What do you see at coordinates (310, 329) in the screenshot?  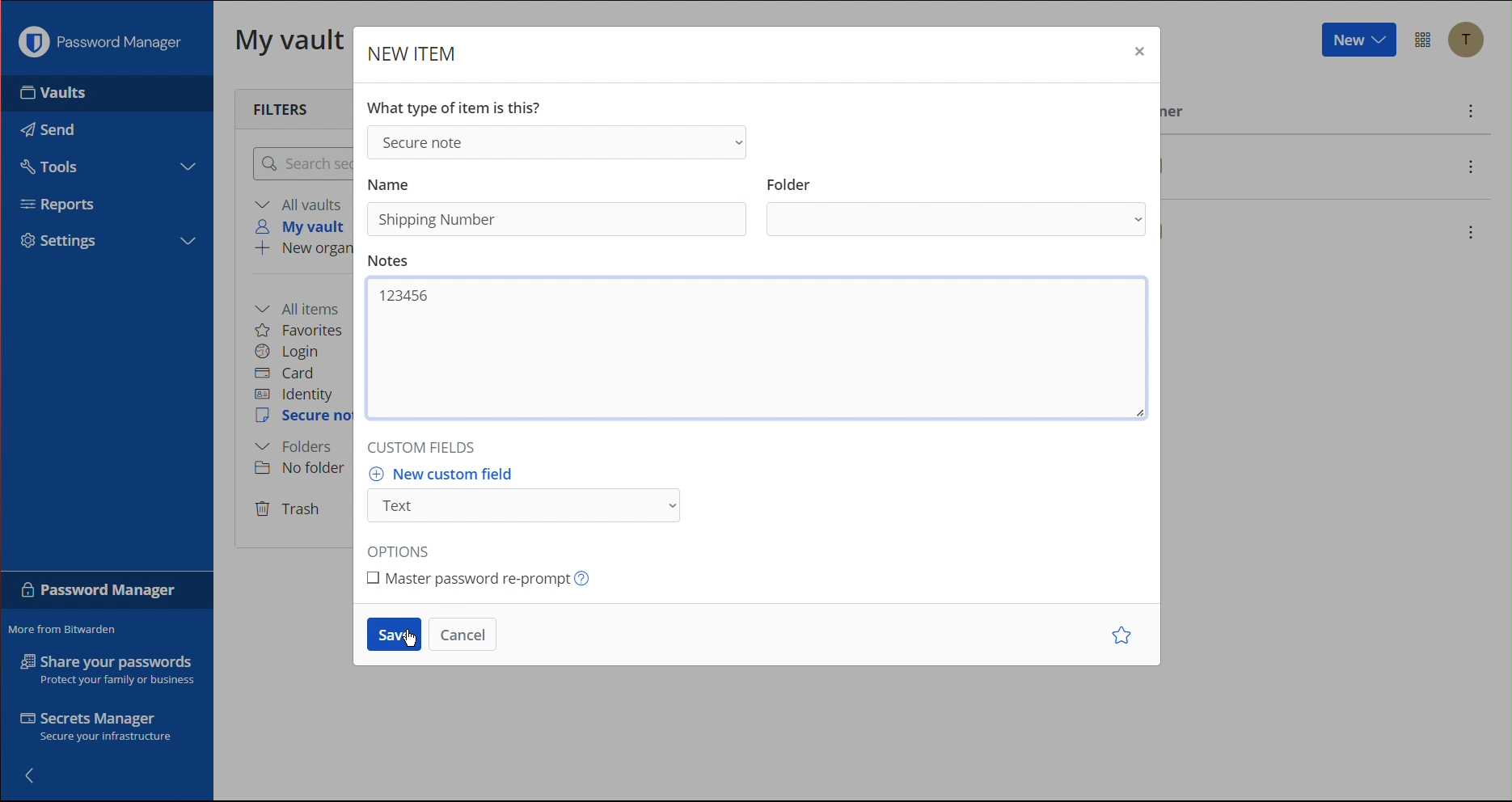 I see `Favorites` at bounding box center [310, 329].